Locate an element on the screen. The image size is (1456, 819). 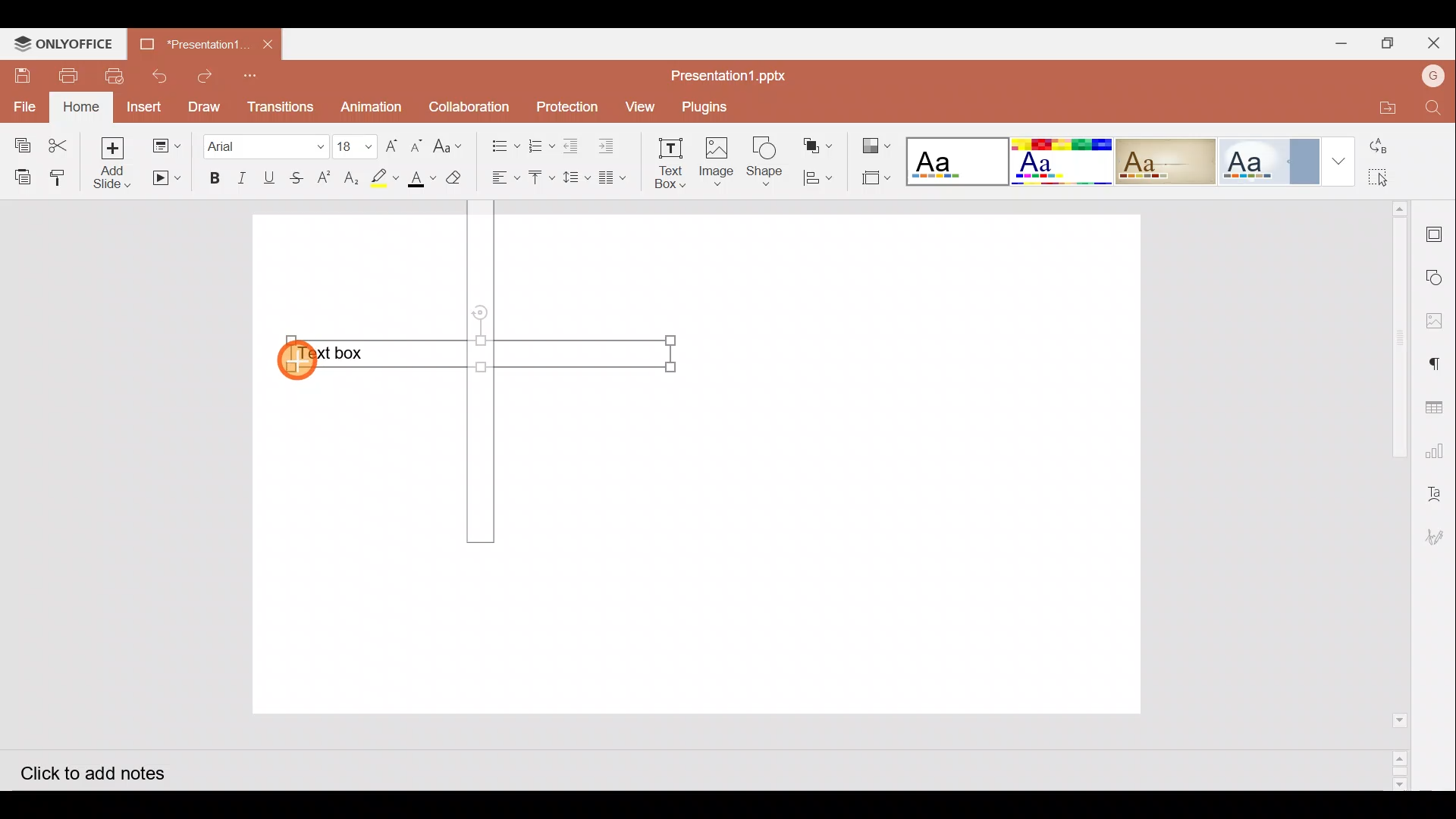
Minimize is located at coordinates (1341, 42).